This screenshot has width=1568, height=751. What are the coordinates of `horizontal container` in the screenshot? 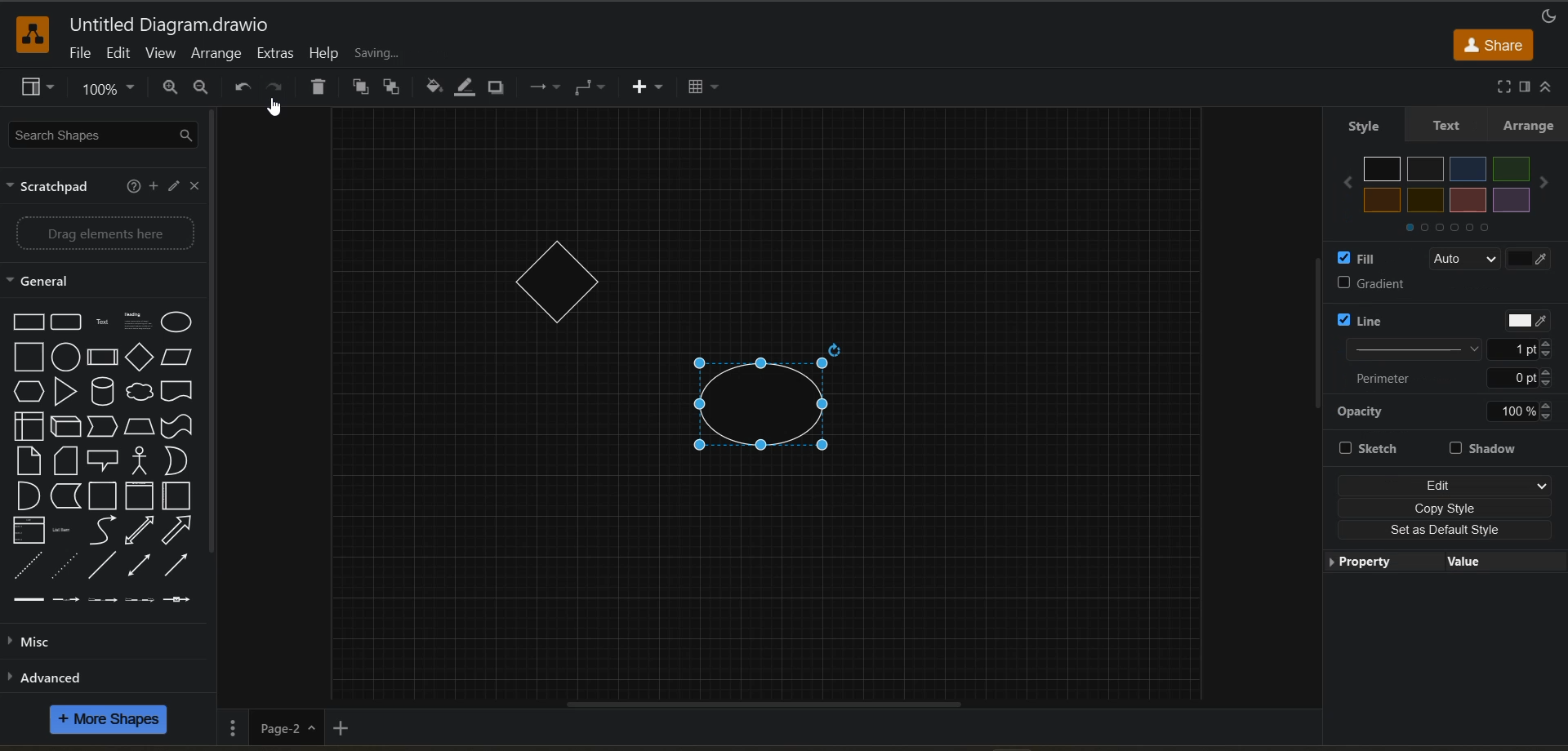 It's located at (177, 496).